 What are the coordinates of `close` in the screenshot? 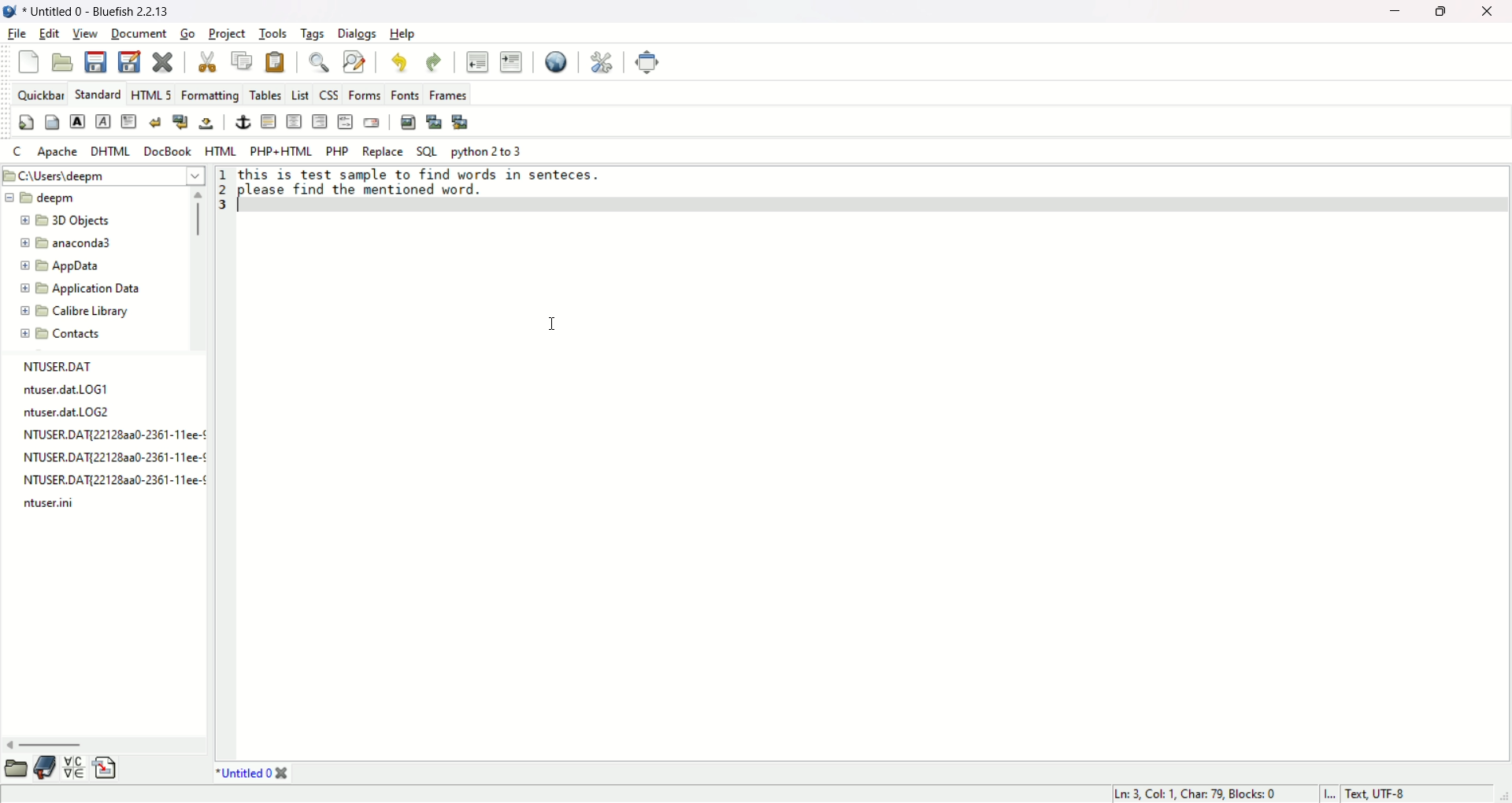 It's located at (1492, 13).